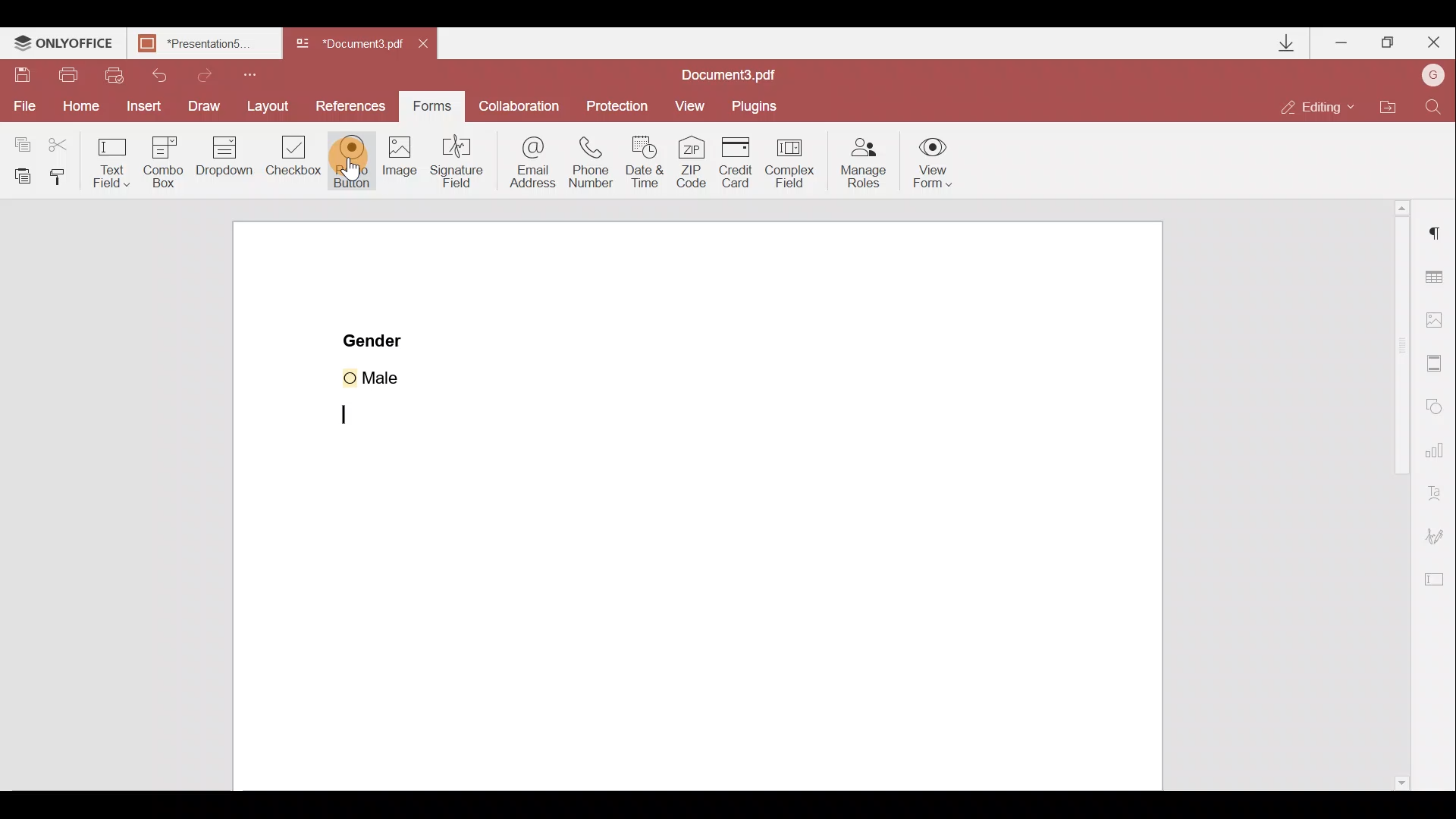 The width and height of the screenshot is (1456, 819). I want to click on Credit card, so click(736, 158).